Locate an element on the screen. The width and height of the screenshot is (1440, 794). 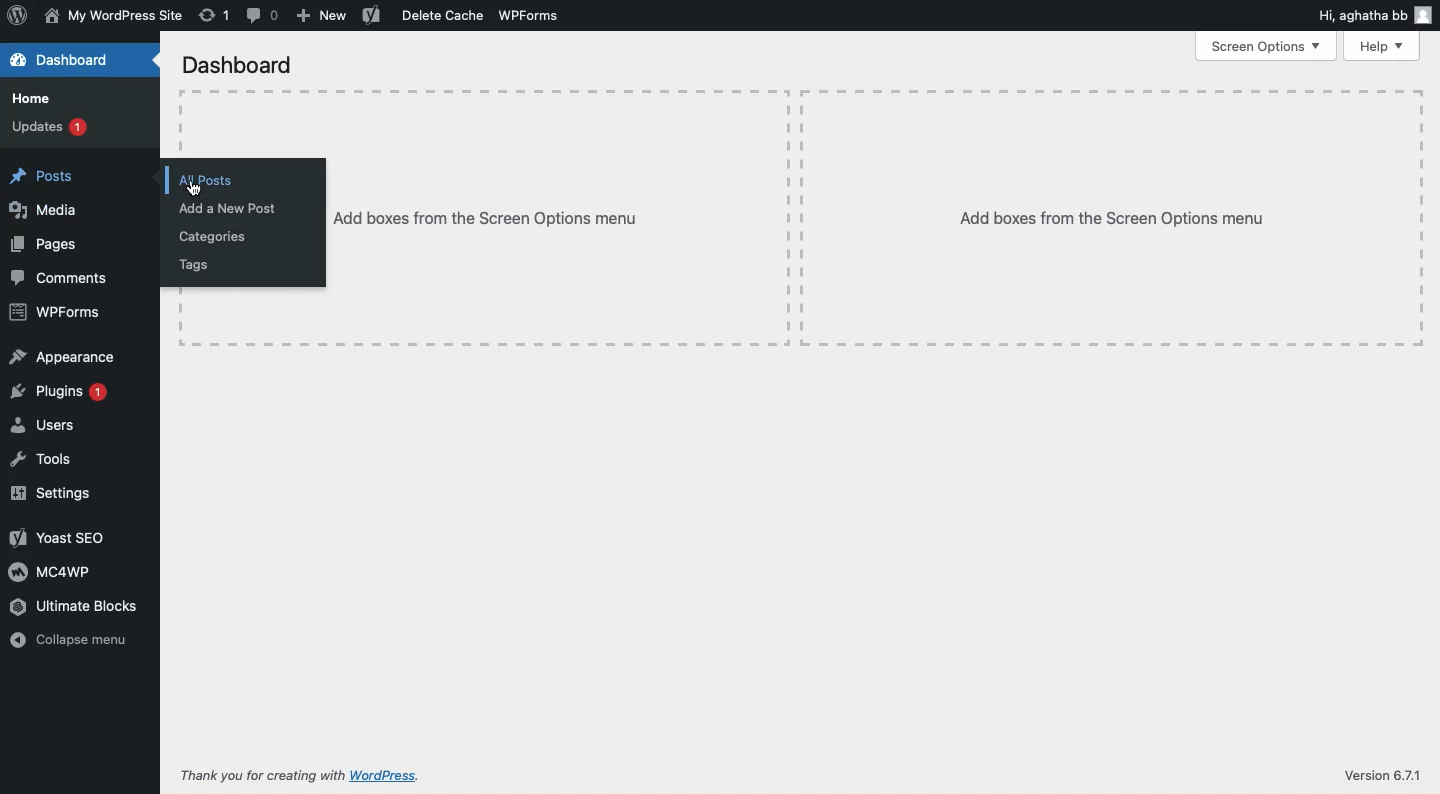
Screen options is located at coordinates (1267, 46).